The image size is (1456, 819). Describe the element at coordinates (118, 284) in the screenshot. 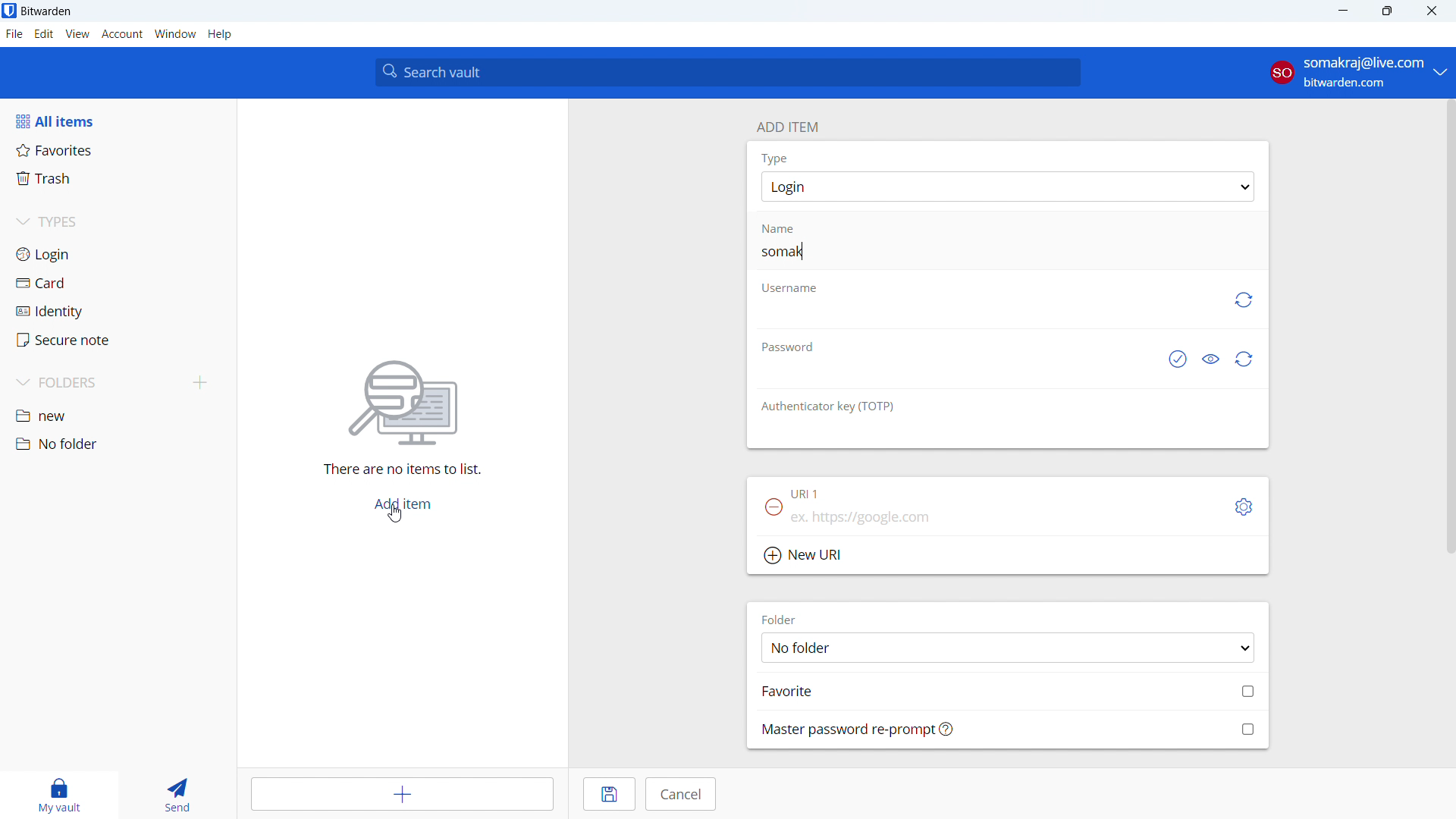

I see `card` at that location.